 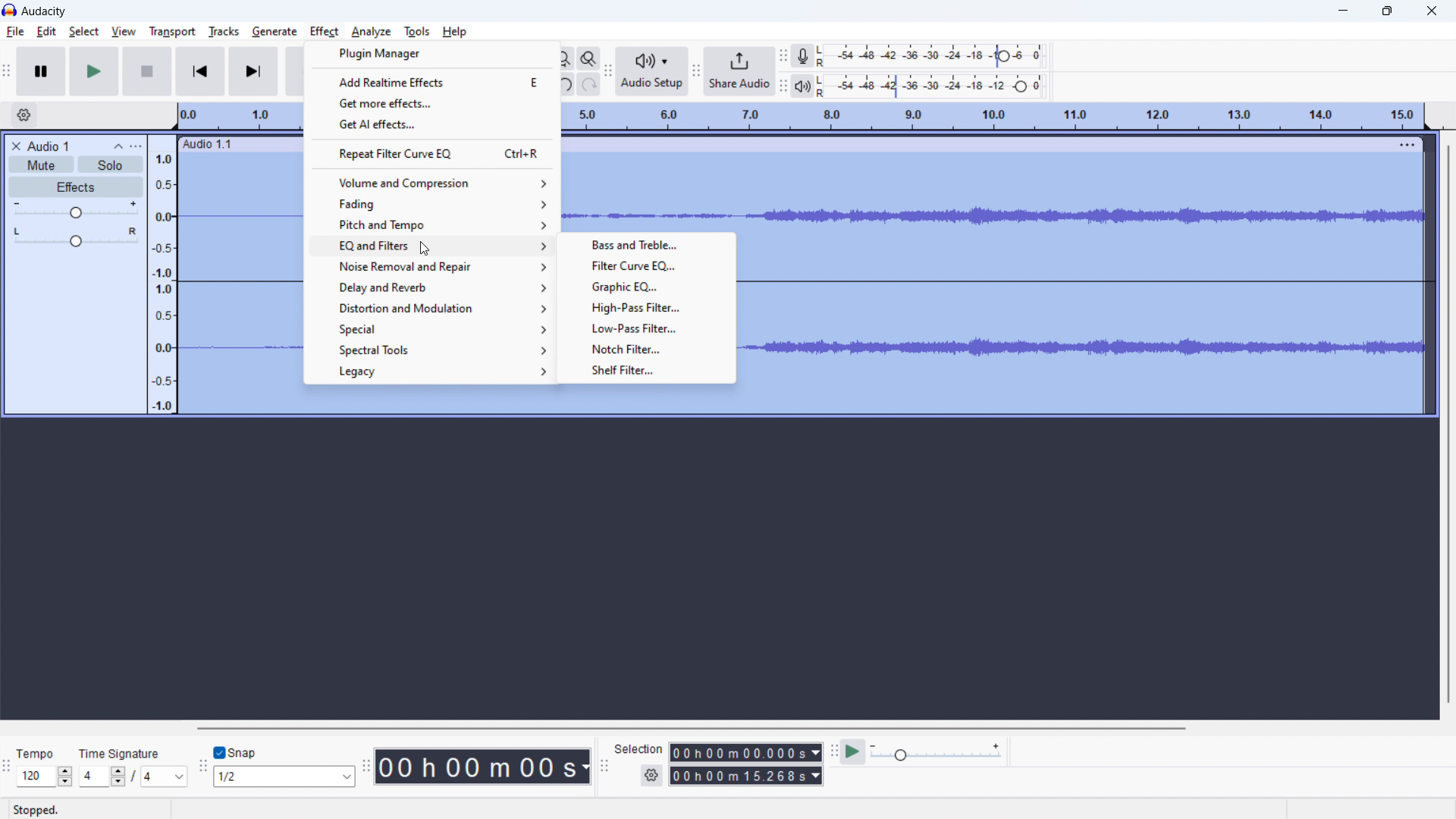 What do you see at coordinates (935, 56) in the screenshot?
I see `record level` at bounding box center [935, 56].